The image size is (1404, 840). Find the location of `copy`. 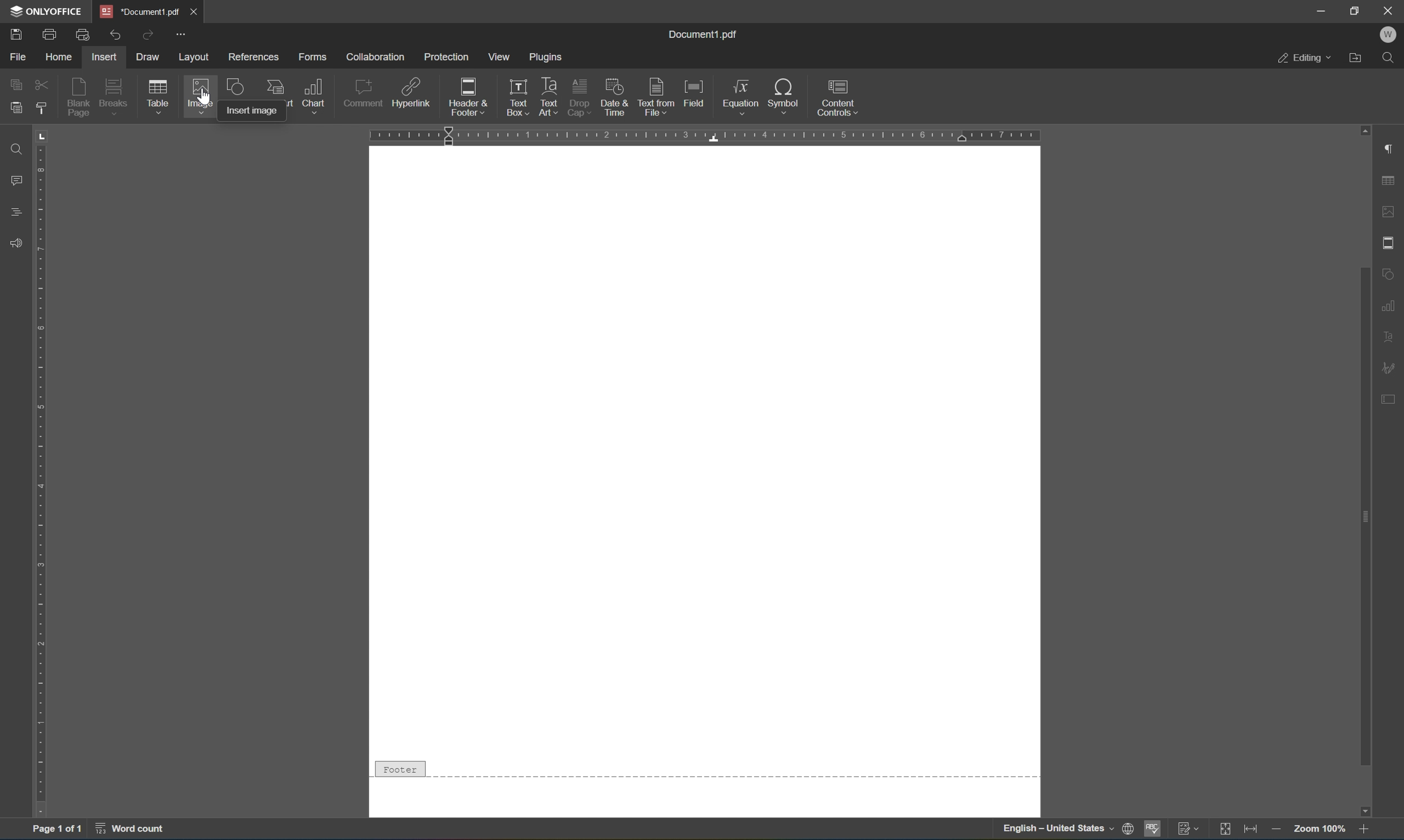

copy is located at coordinates (19, 85).